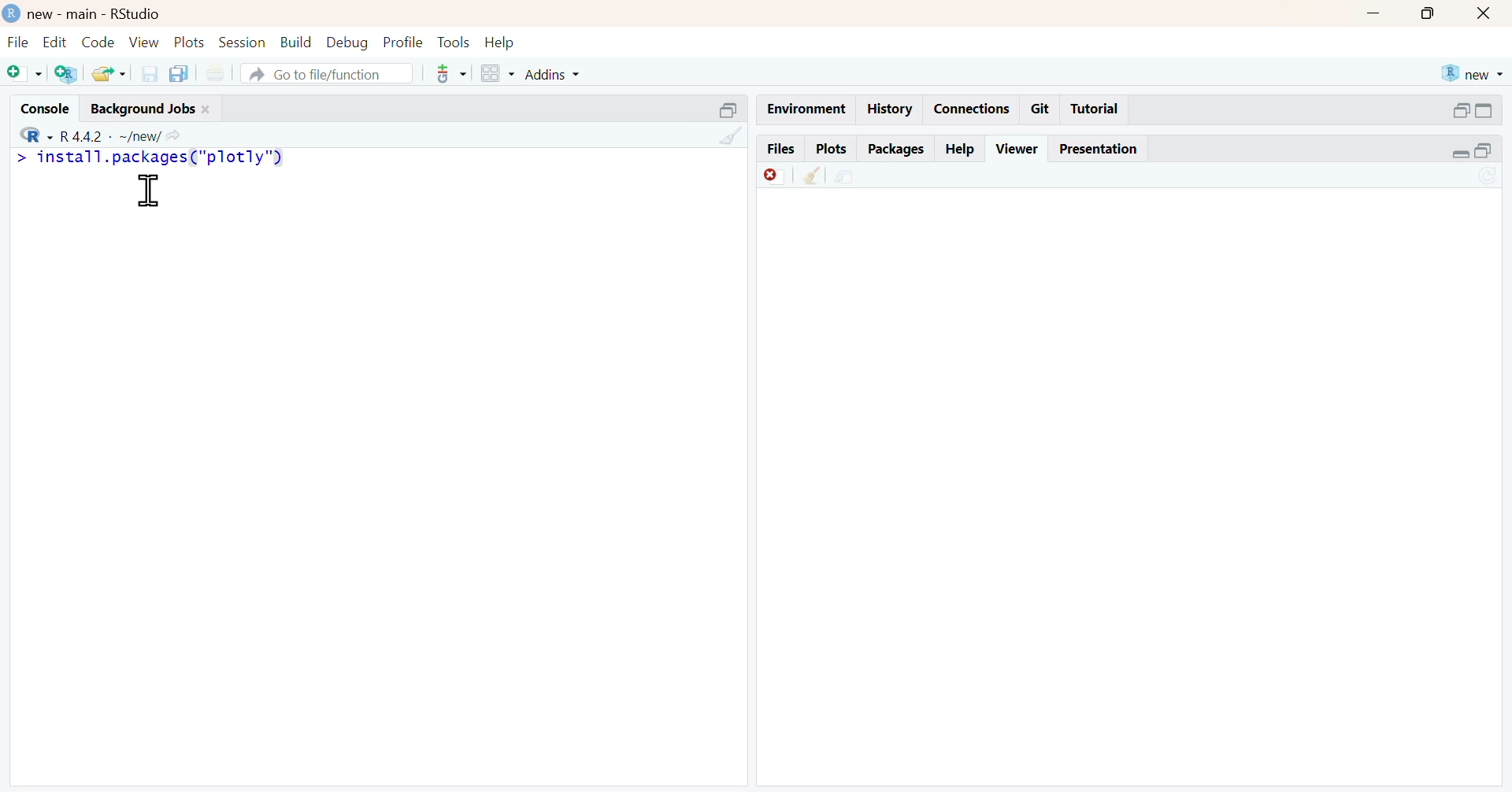 The width and height of the screenshot is (1512, 792). I want to click on save current document, so click(149, 73).